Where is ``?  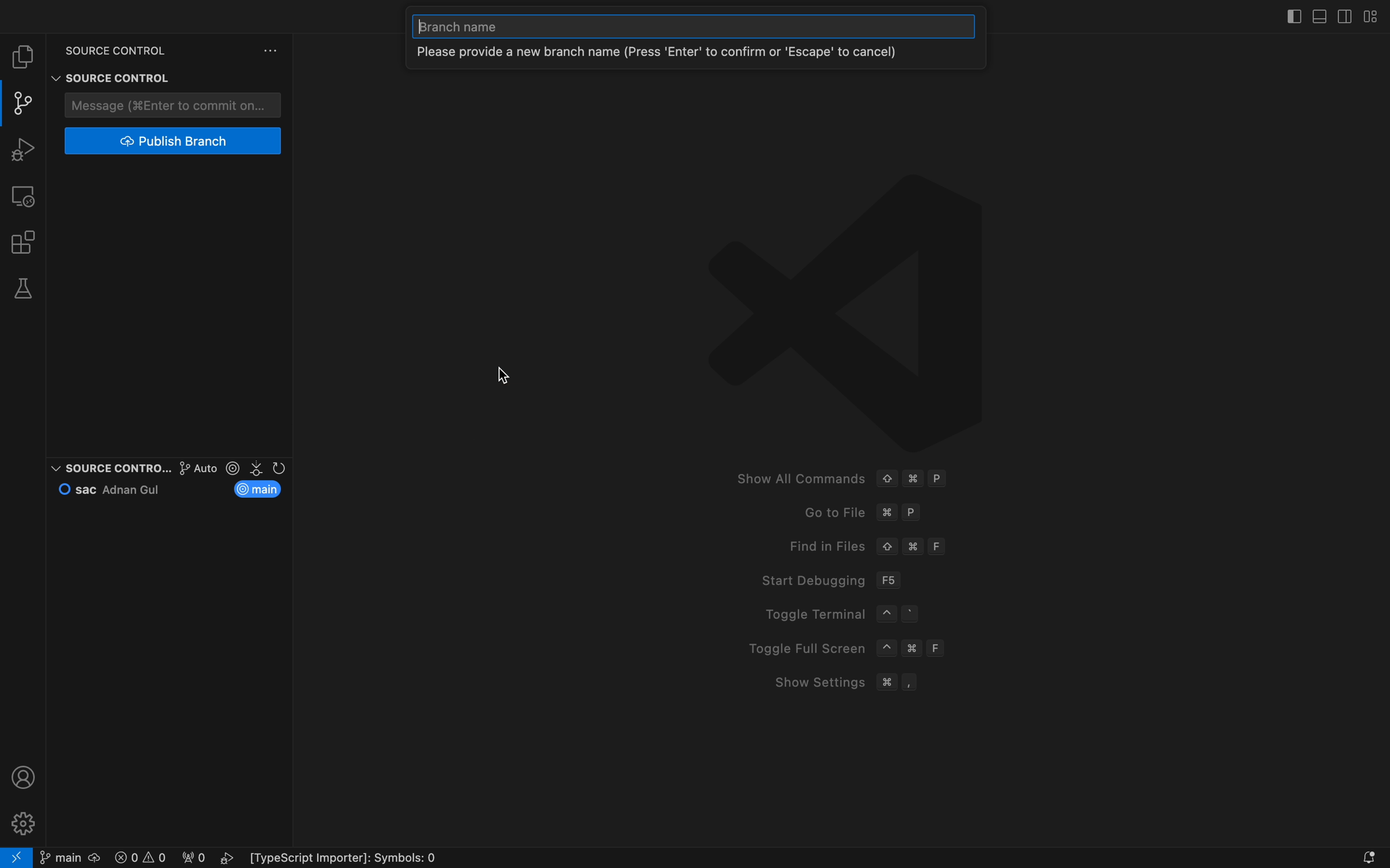  is located at coordinates (186, 79).